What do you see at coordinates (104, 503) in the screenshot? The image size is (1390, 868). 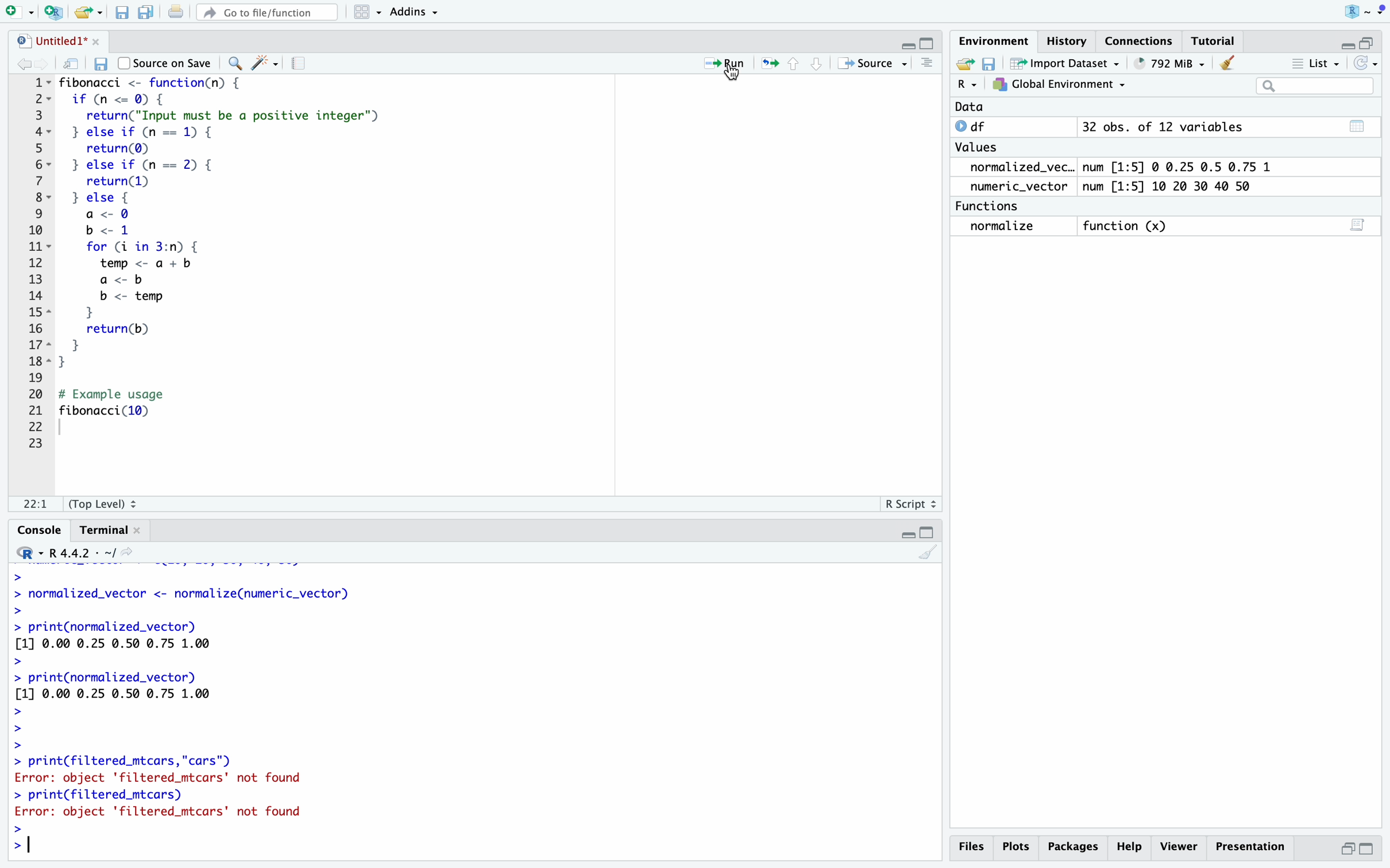 I see `(Top level)` at bounding box center [104, 503].